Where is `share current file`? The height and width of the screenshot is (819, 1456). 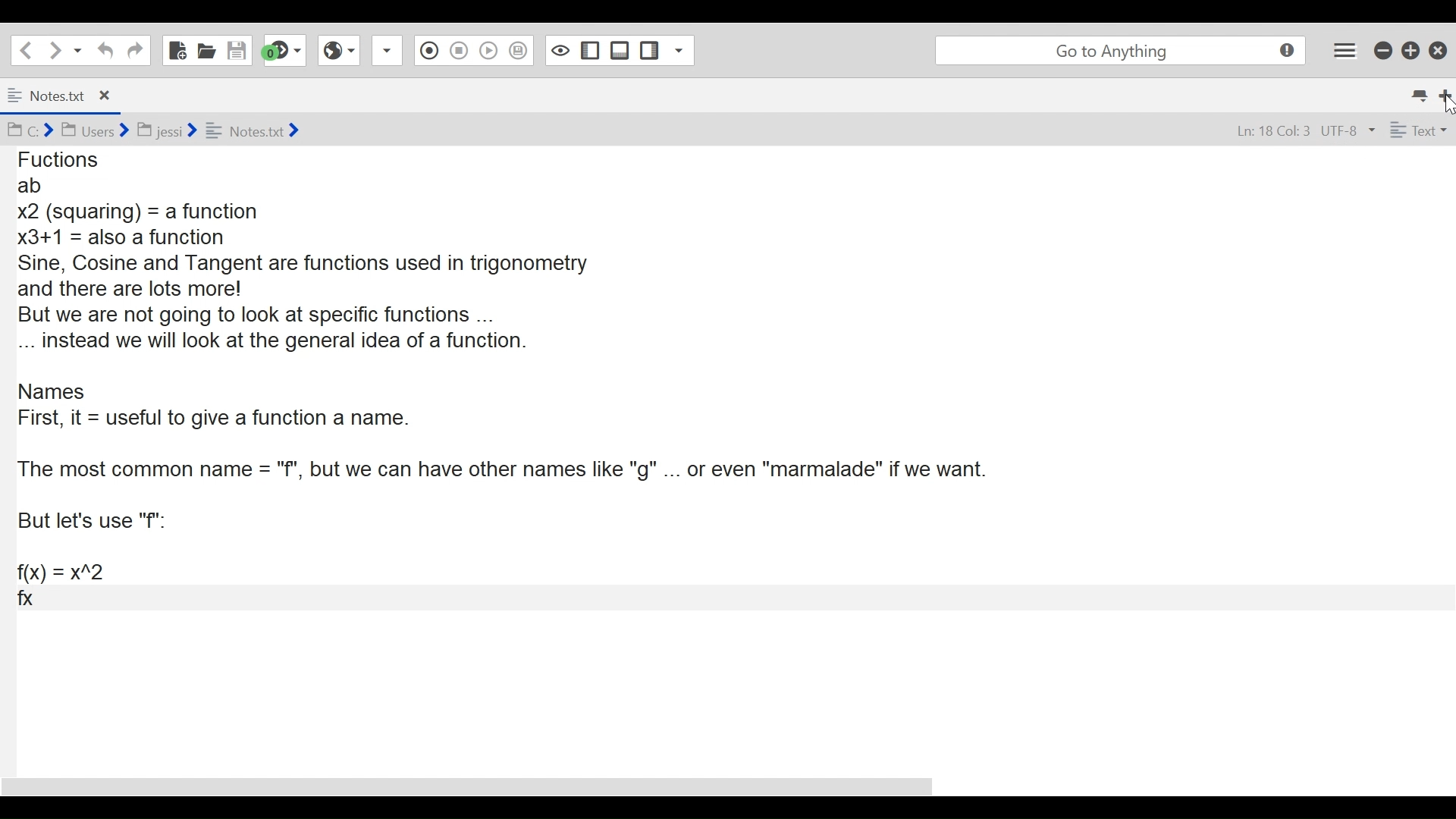
share current file is located at coordinates (390, 52).